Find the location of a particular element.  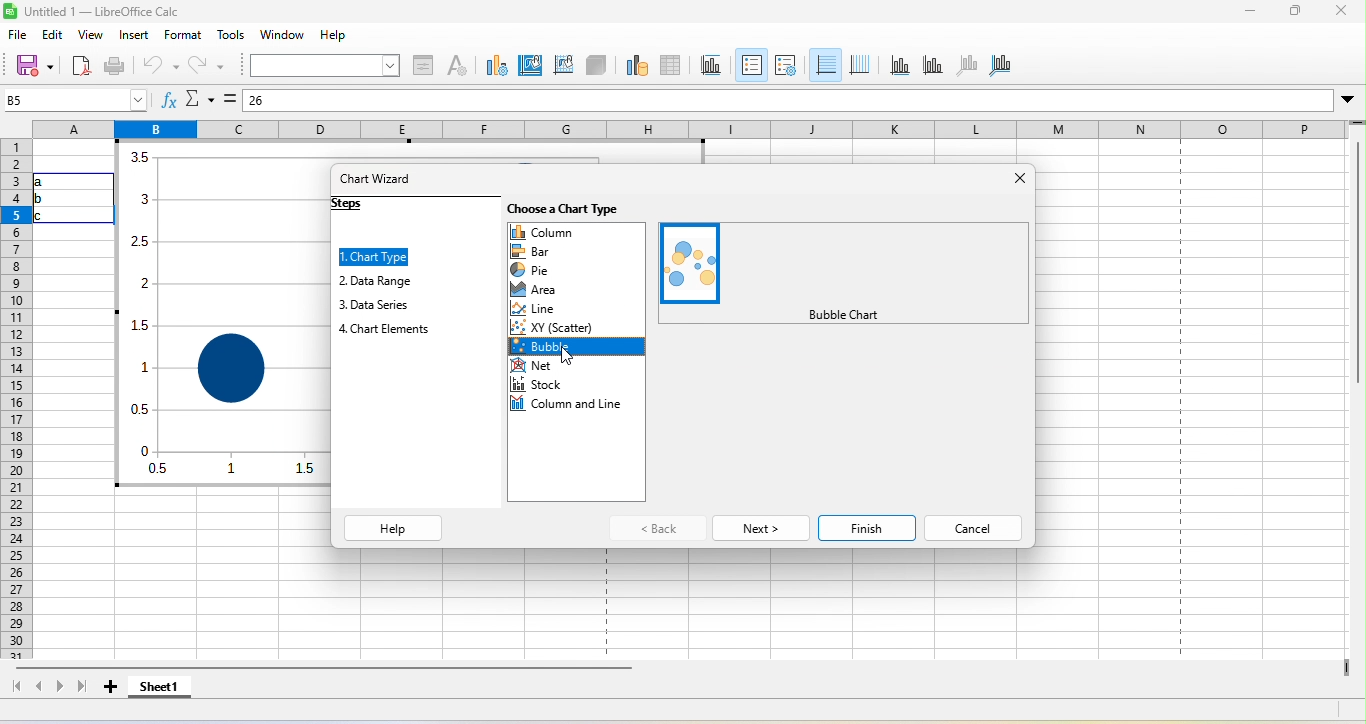

chart type is located at coordinates (380, 256).